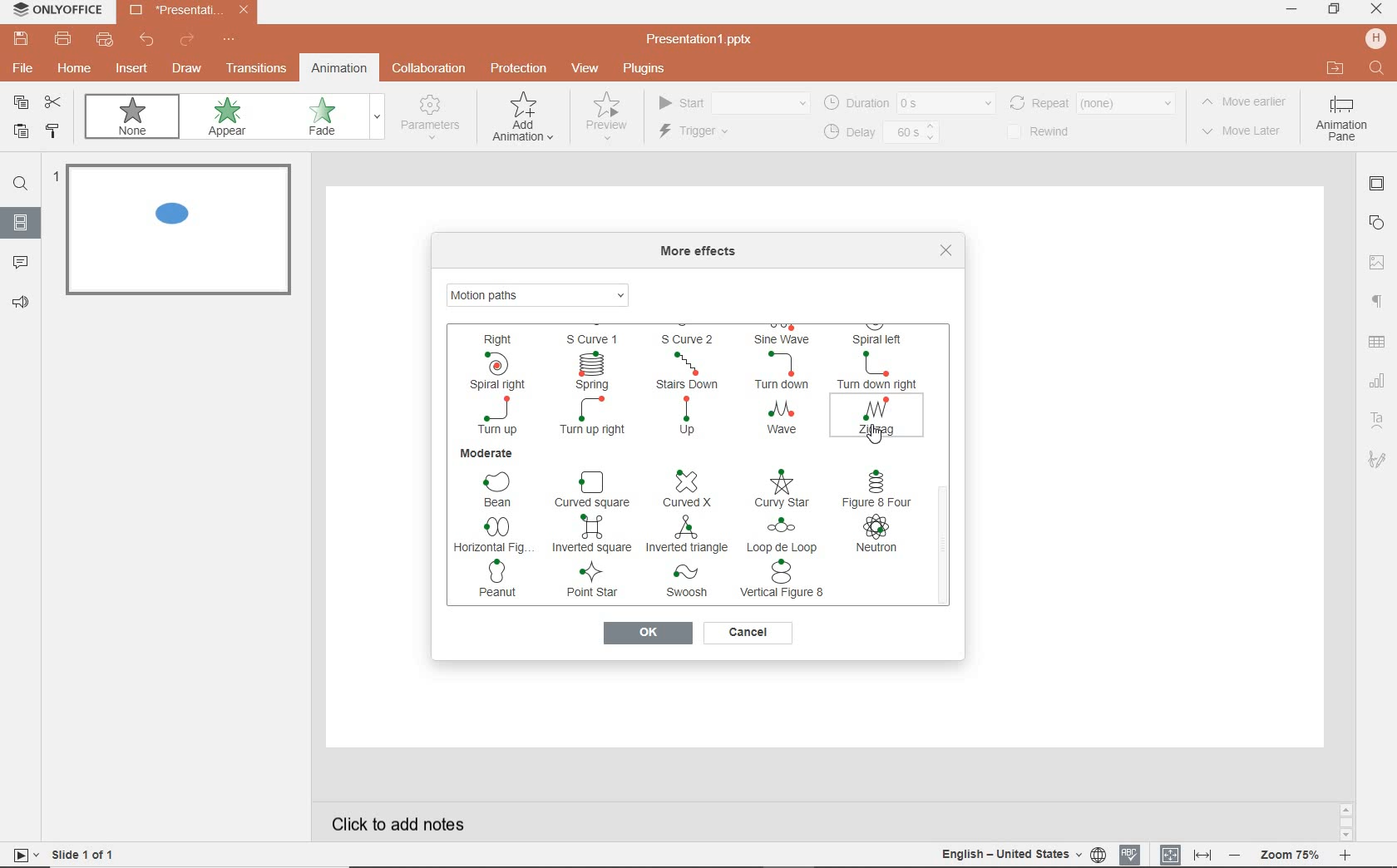  What do you see at coordinates (1171, 851) in the screenshot?
I see `fit to slide` at bounding box center [1171, 851].